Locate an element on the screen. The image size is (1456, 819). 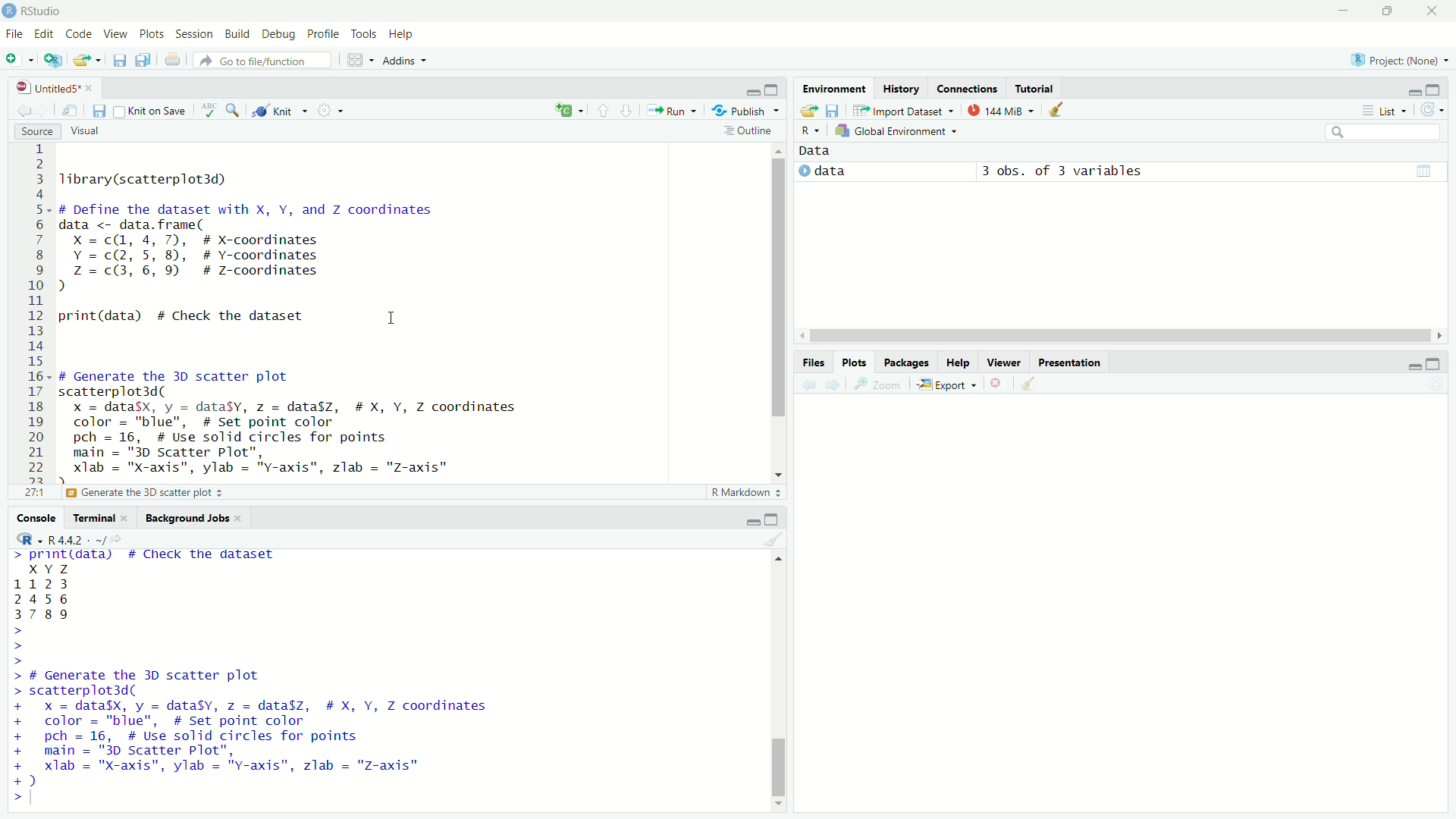
Save workspace as is located at coordinates (832, 108).